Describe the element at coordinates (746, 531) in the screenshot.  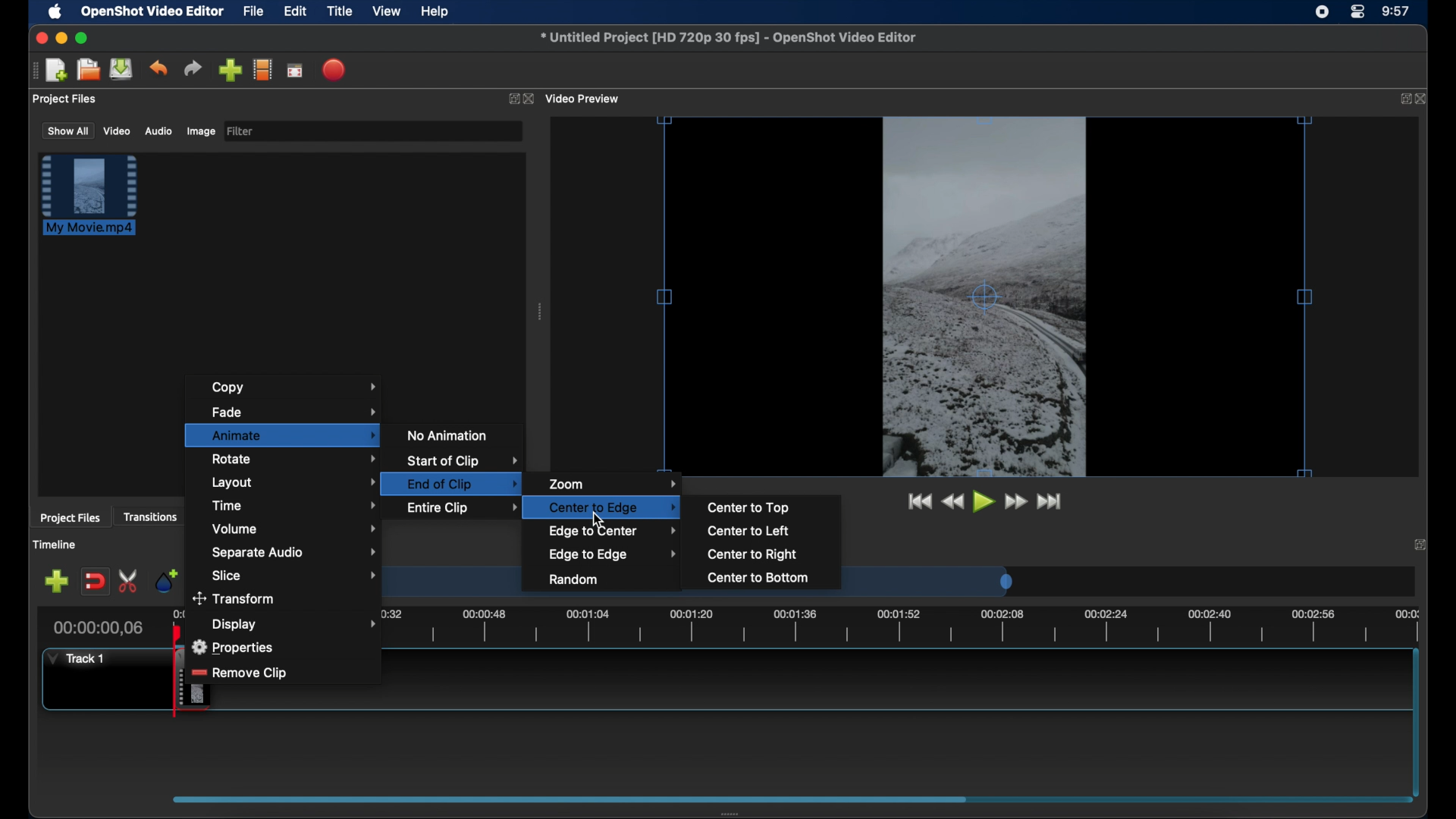
I see `center to left` at that location.